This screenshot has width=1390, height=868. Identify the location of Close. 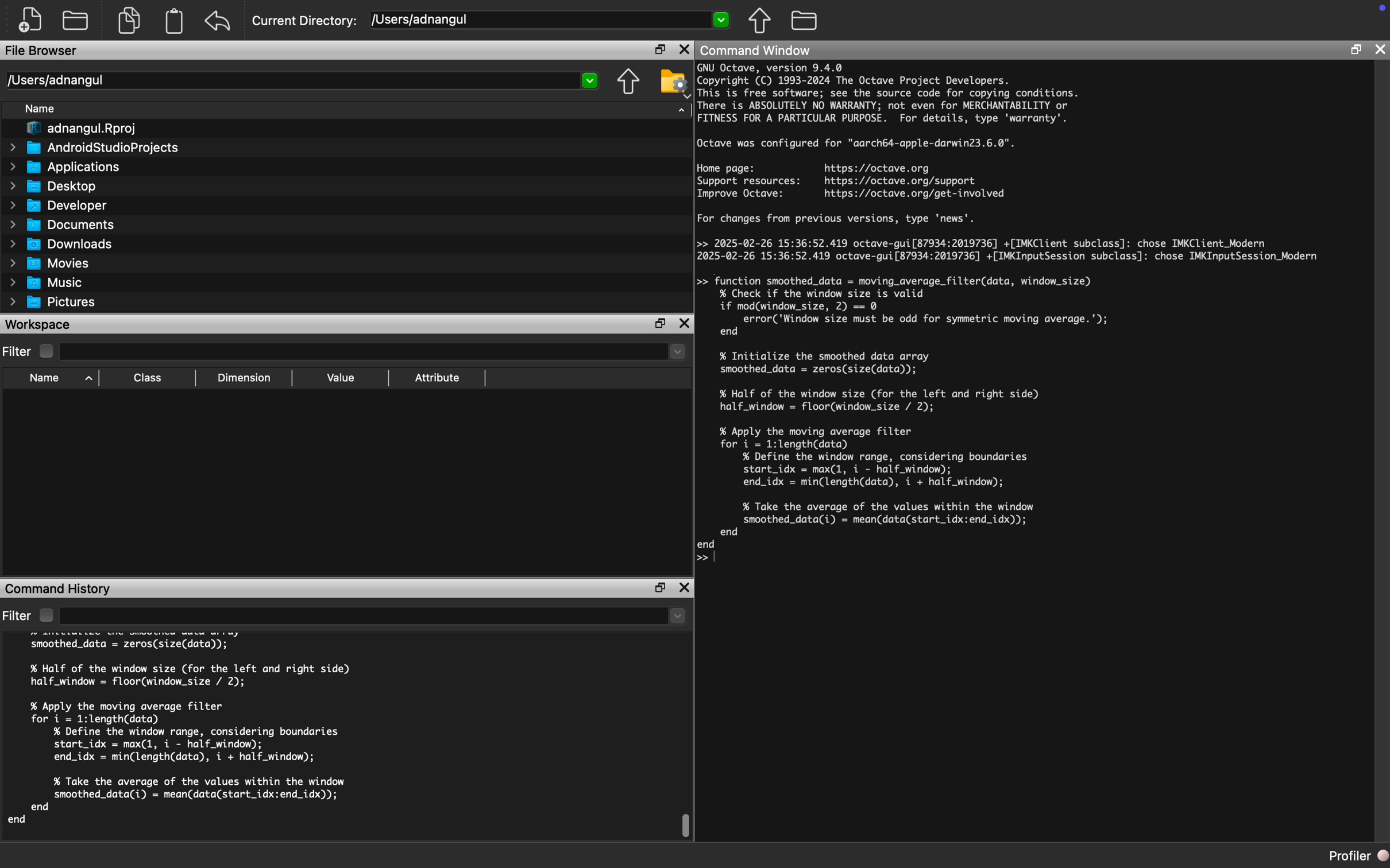
(684, 50).